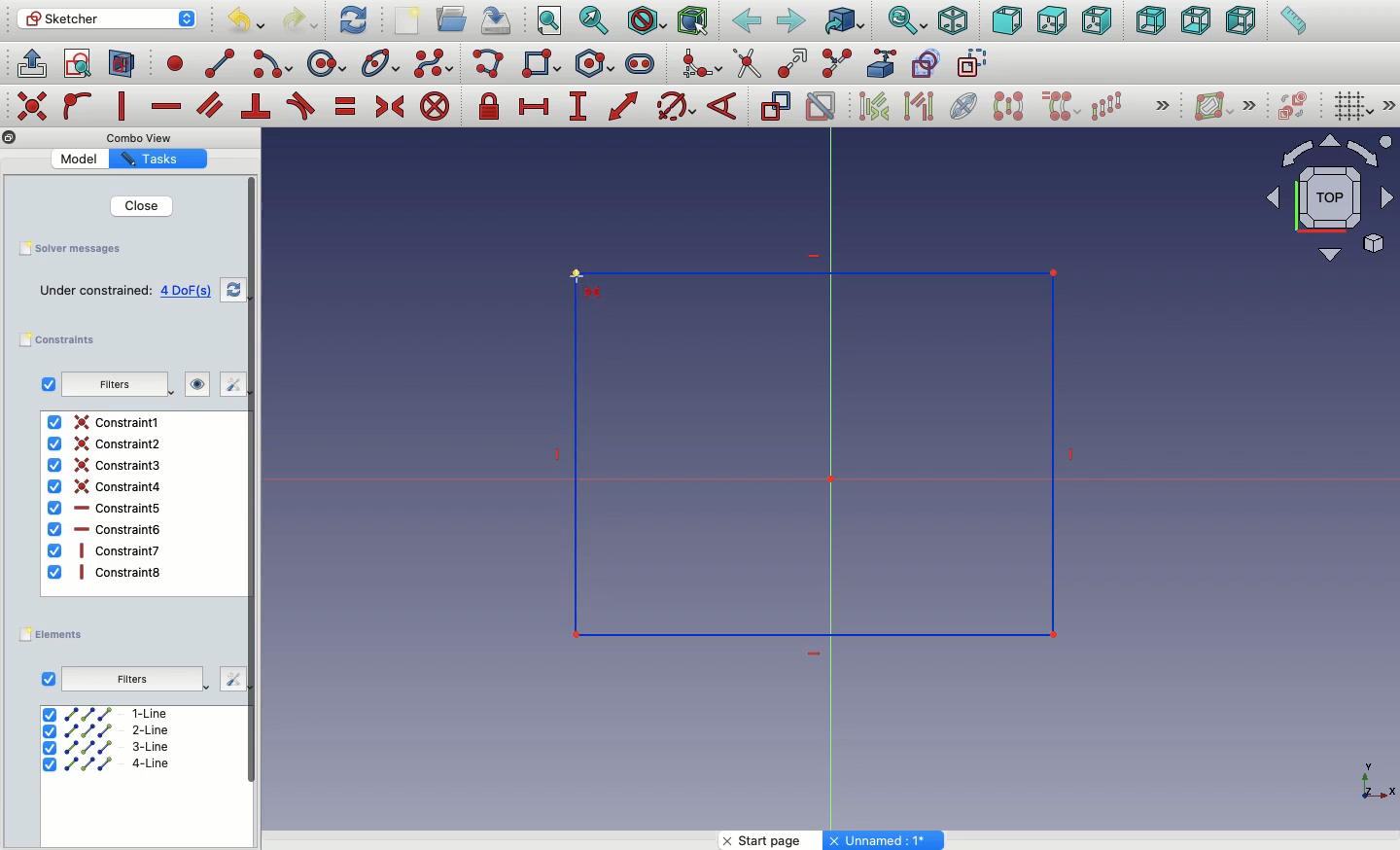 This screenshot has width=1400, height=850. What do you see at coordinates (642, 63) in the screenshot?
I see `Slot` at bounding box center [642, 63].